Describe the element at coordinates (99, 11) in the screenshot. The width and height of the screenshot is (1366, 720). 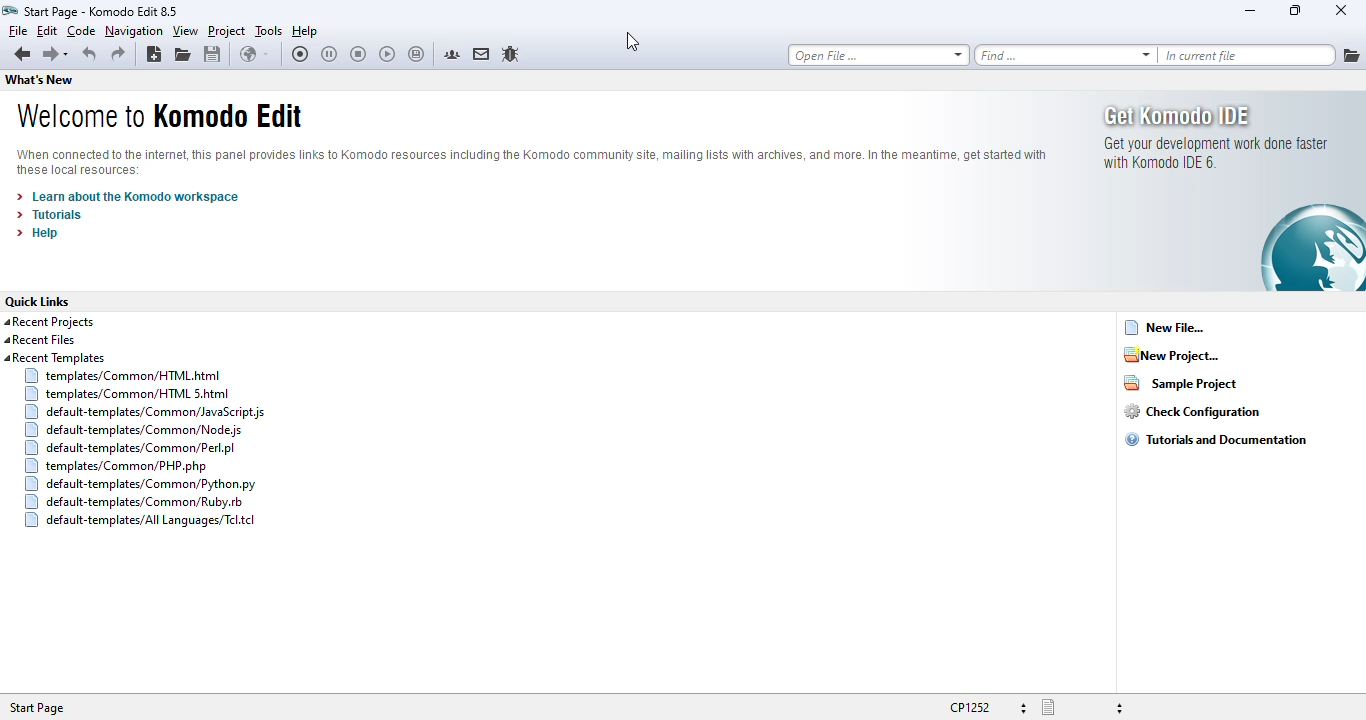
I see `text-1` at that location.